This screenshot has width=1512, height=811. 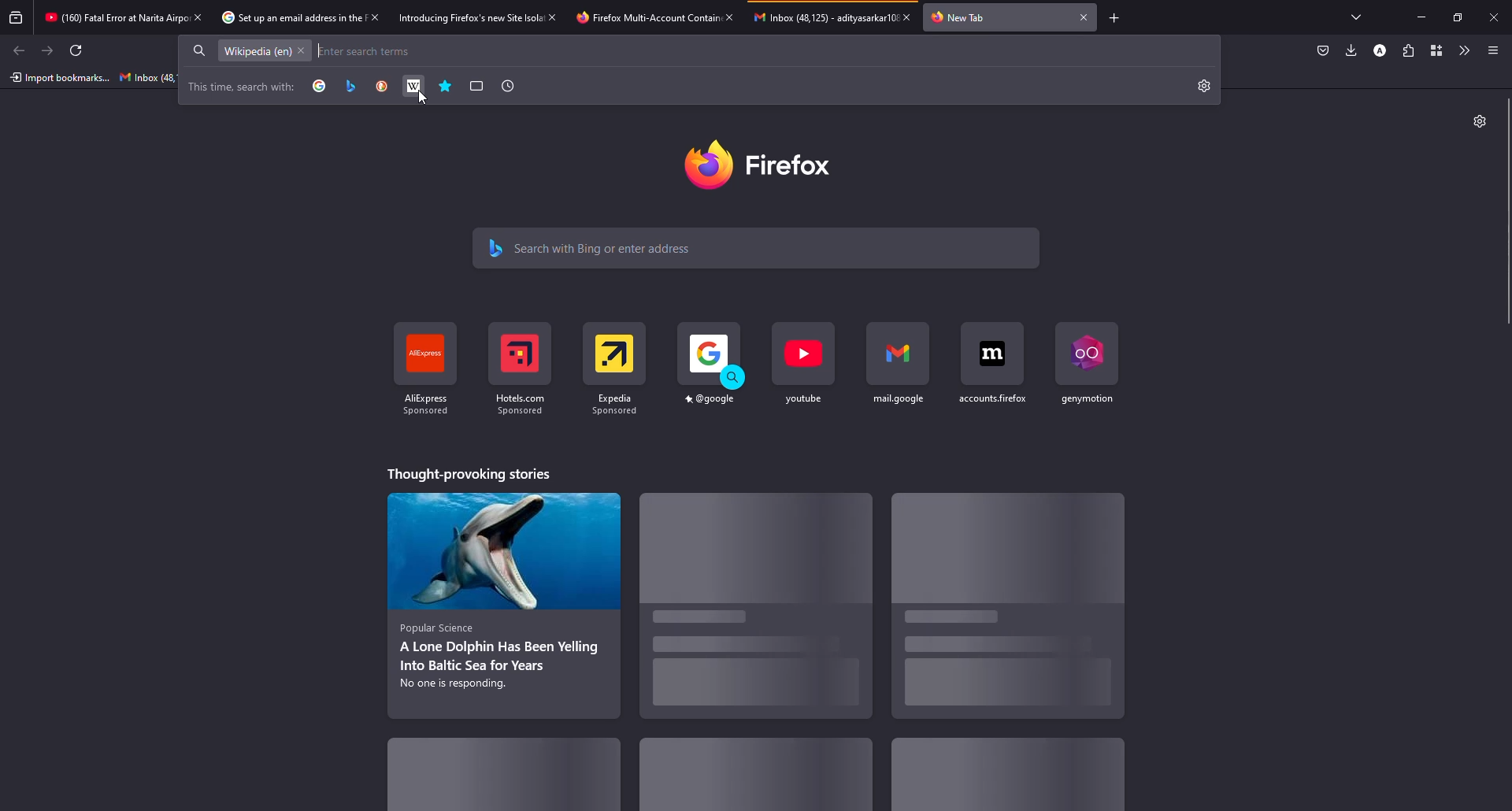 What do you see at coordinates (1084, 17) in the screenshot?
I see `close` at bounding box center [1084, 17].